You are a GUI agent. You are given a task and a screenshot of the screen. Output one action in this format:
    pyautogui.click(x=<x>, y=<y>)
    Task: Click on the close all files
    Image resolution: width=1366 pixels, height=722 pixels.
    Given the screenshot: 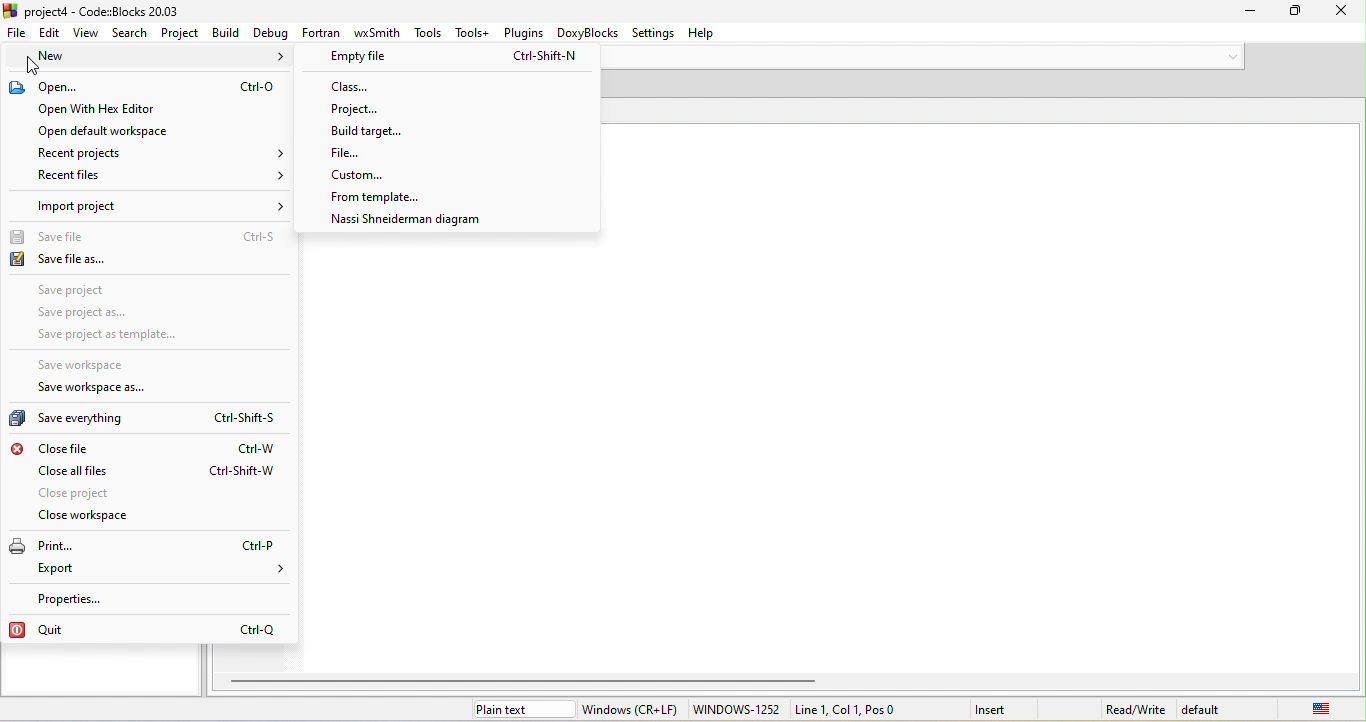 What is the action you would take?
    pyautogui.click(x=155, y=472)
    